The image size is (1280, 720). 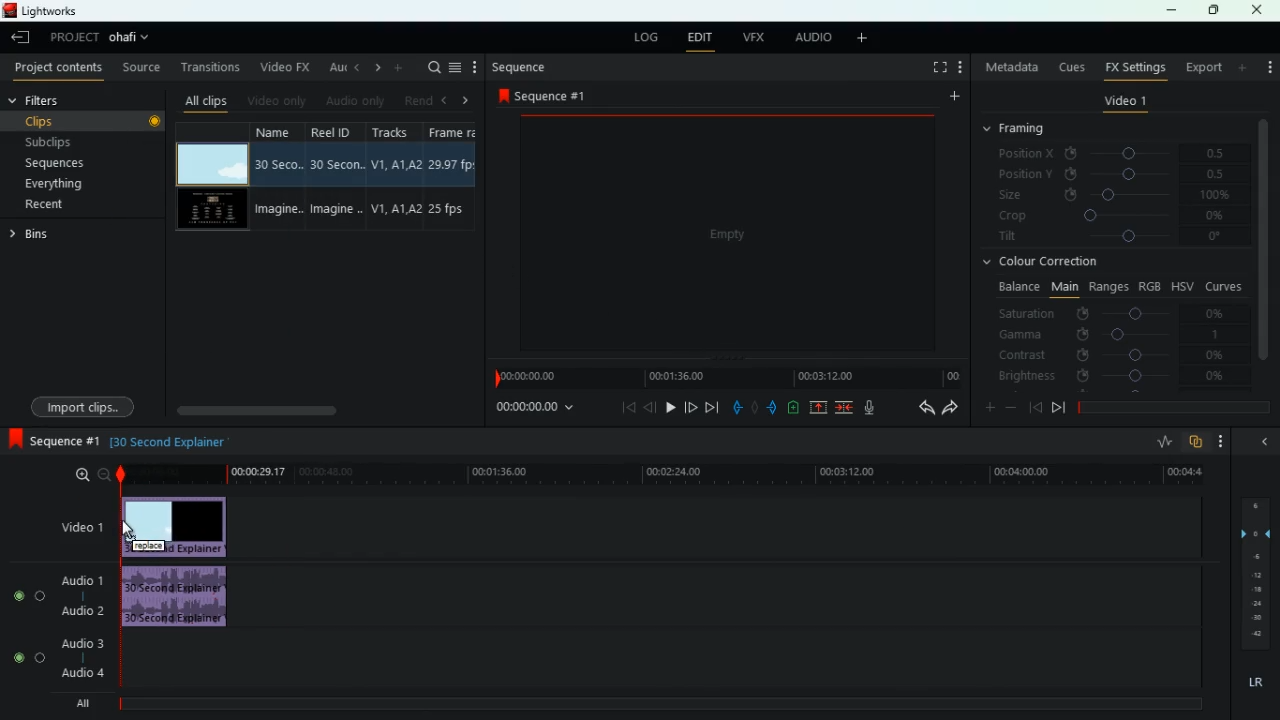 What do you see at coordinates (450, 177) in the screenshot?
I see `frame` at bounding box center [450, 177].